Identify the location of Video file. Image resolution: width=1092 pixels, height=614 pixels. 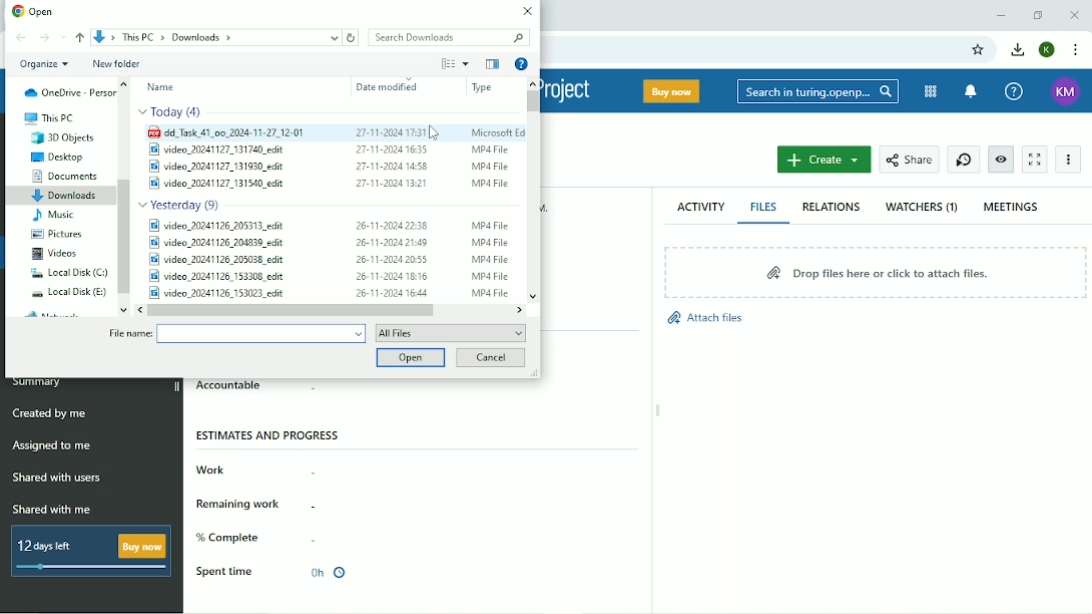
(330, 224).